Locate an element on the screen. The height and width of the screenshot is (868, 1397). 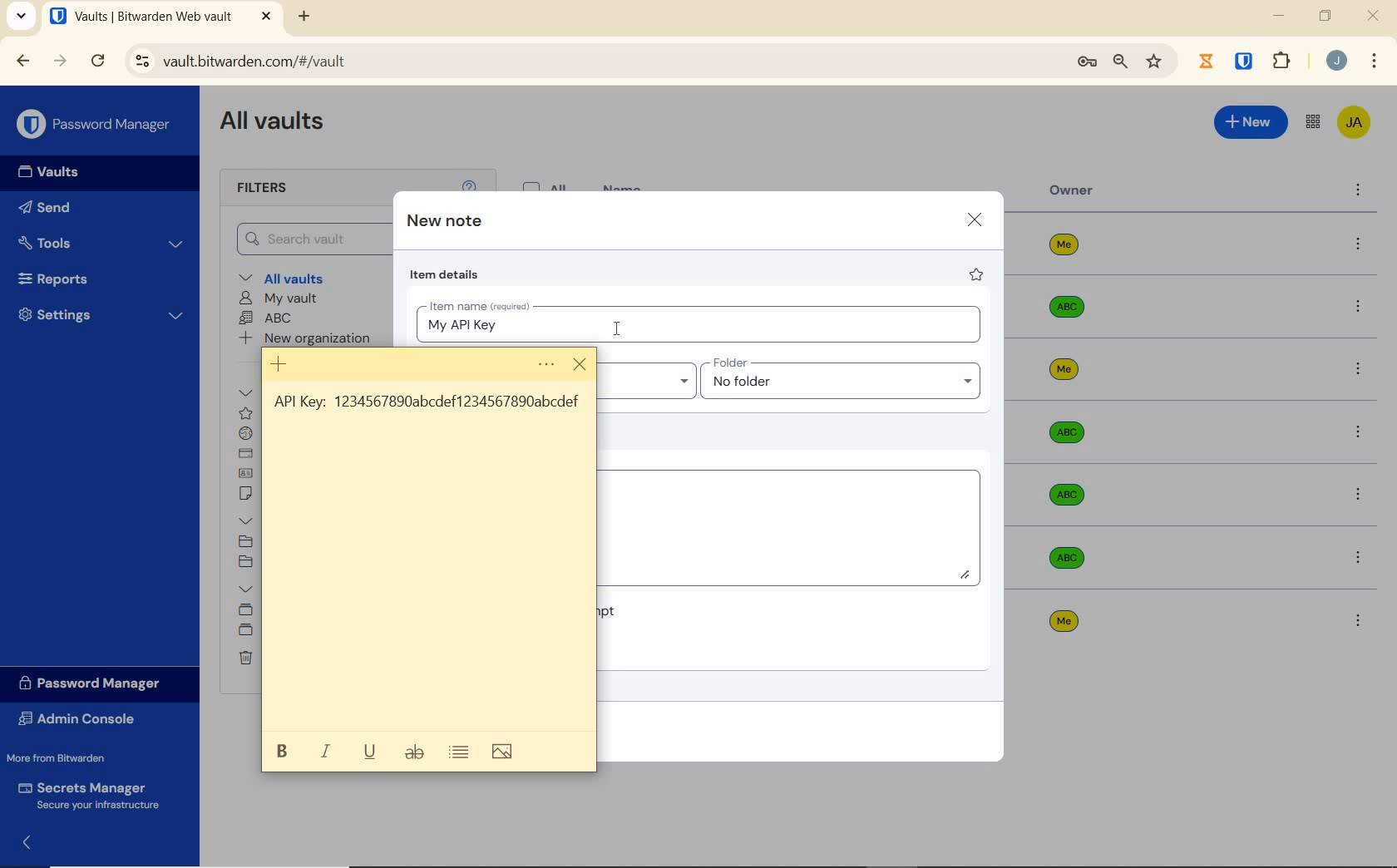
Master password re-prompt is located at coordinates (607, 610).